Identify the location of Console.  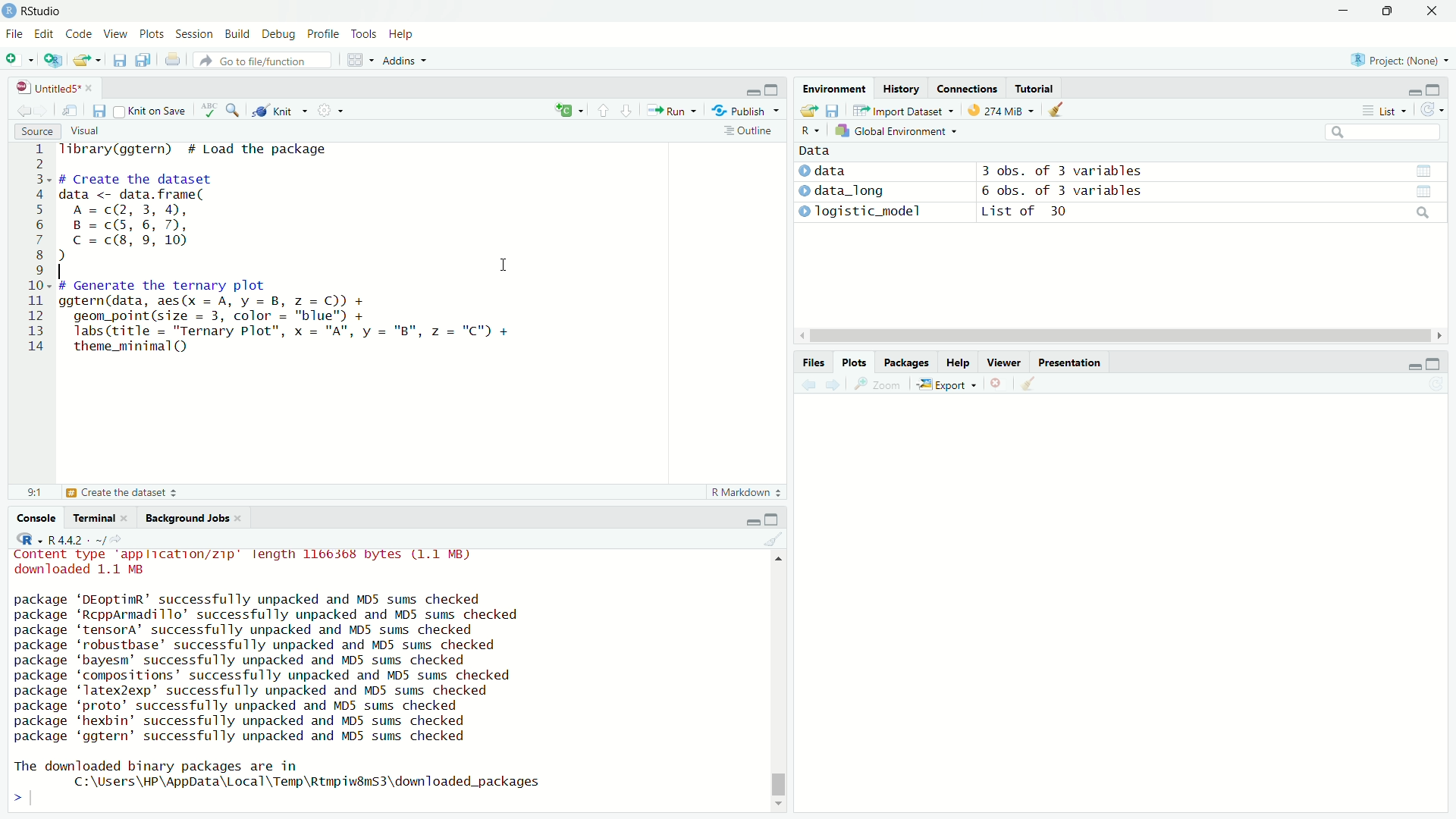
(40, 518).